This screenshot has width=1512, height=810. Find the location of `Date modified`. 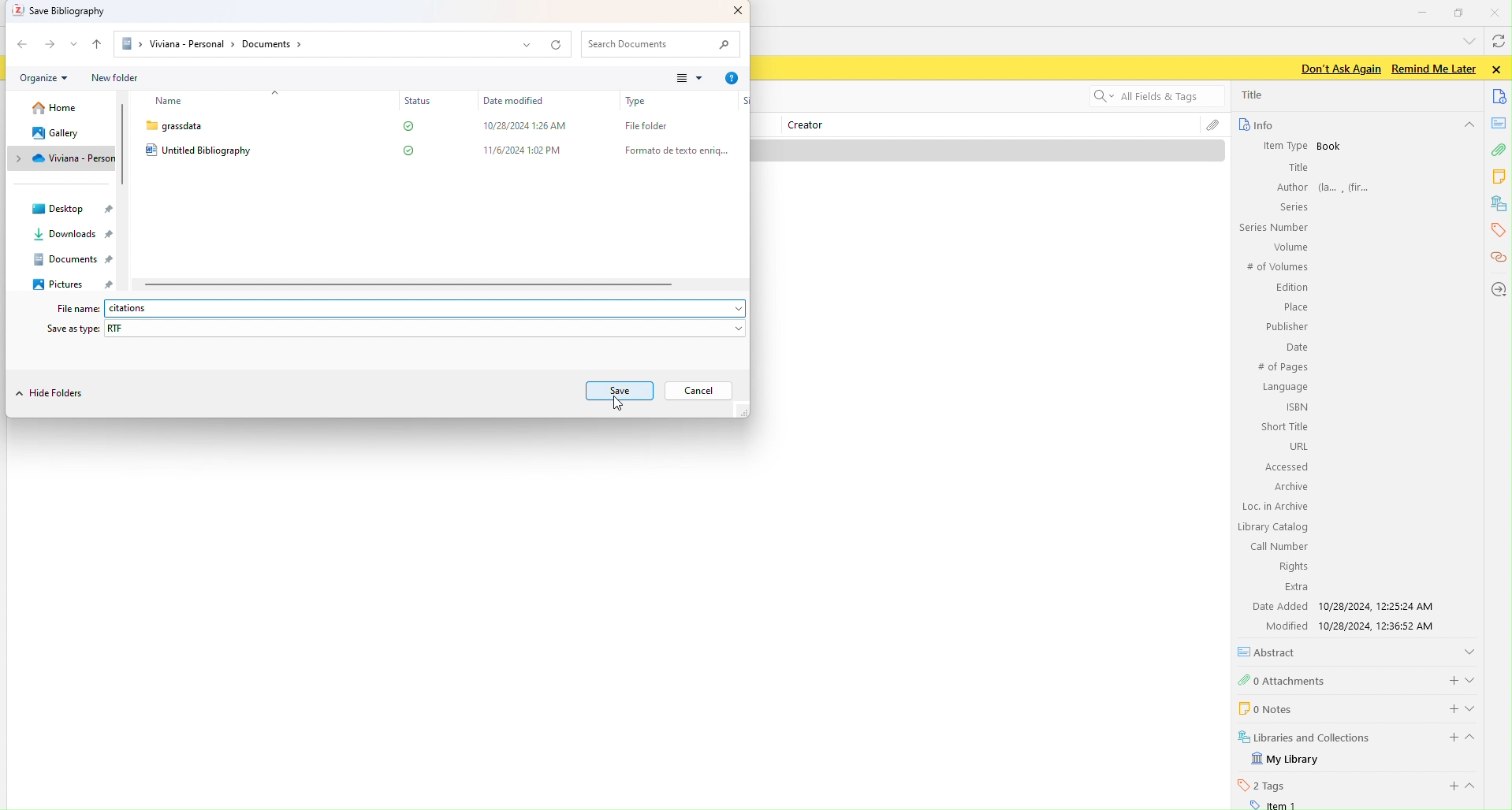

Date modified is located at coordinates (512, 101).